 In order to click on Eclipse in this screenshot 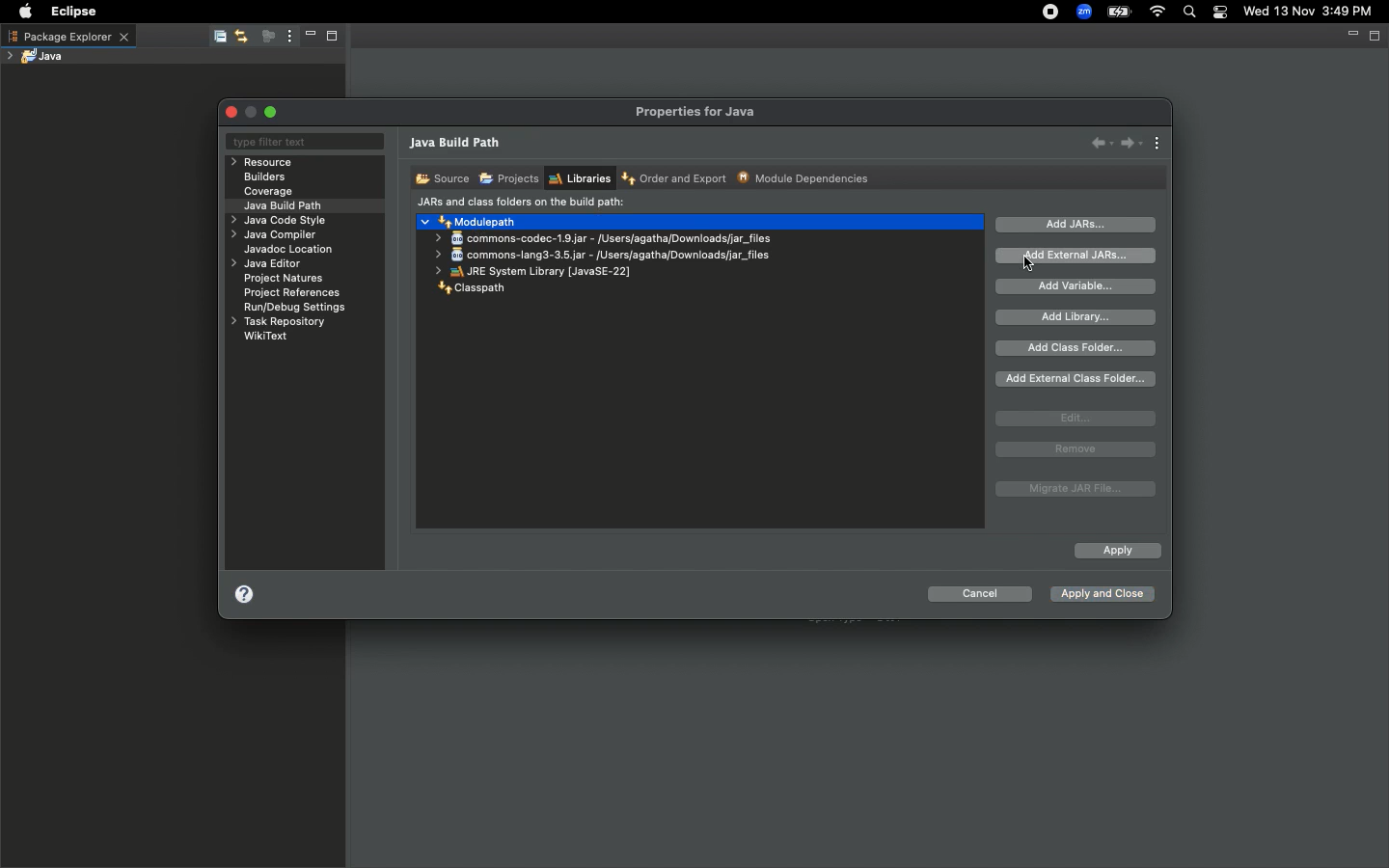, I will do `click(69, 12)`.